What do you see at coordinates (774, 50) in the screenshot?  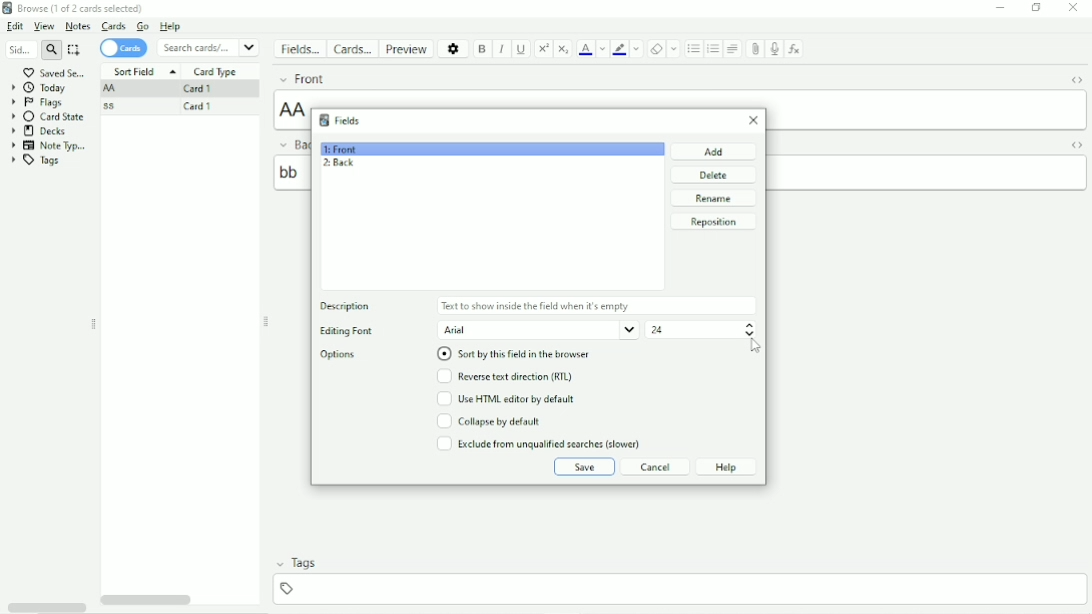 I see `Record audio` at bounding box center [774, 50].